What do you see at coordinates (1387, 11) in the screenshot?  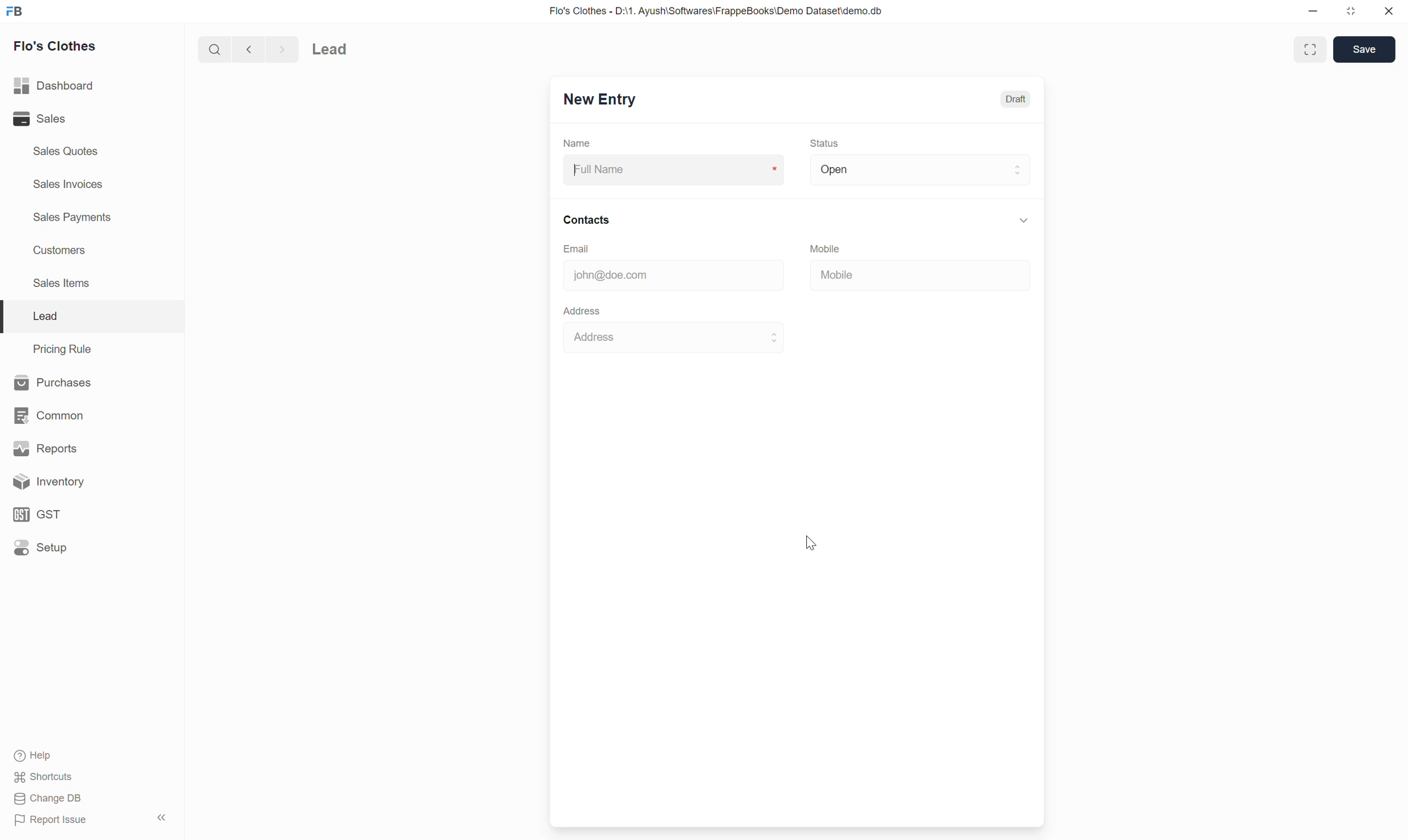 I see `close` at bounding box center [1387, 11].